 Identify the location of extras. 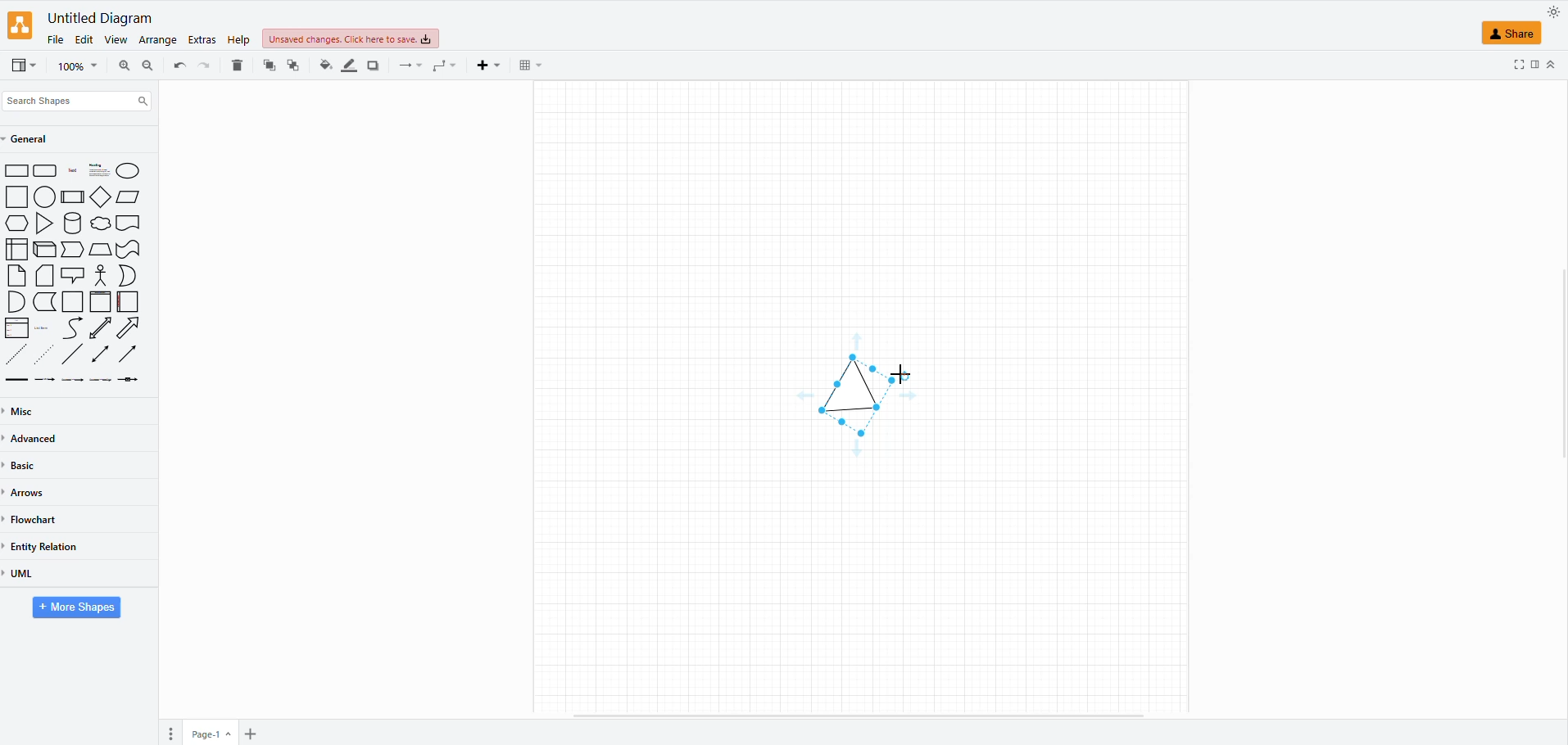
(200, 40).